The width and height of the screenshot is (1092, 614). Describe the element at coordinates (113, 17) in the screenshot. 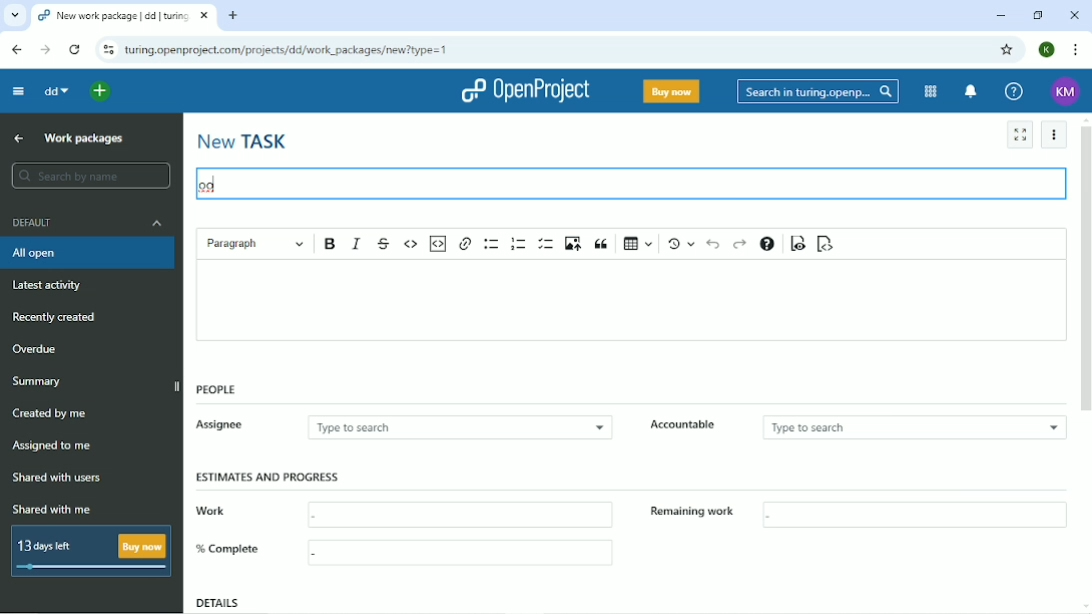

I see `New work package | dd | turing` at that location.